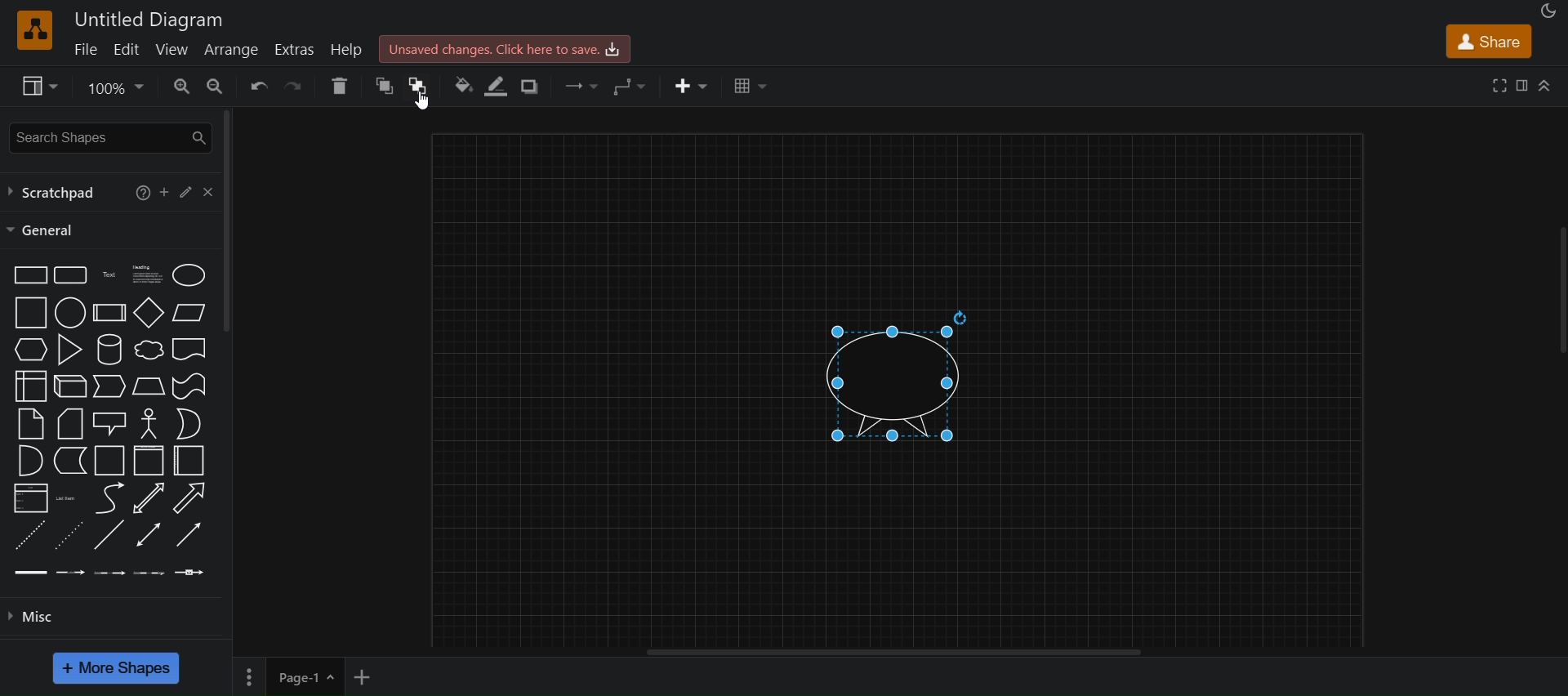 This screenshot has height=696, width=1568. What do you see at coordinates (188, 189) in the screenshot?
I see `` at bounding box center [188, 189].